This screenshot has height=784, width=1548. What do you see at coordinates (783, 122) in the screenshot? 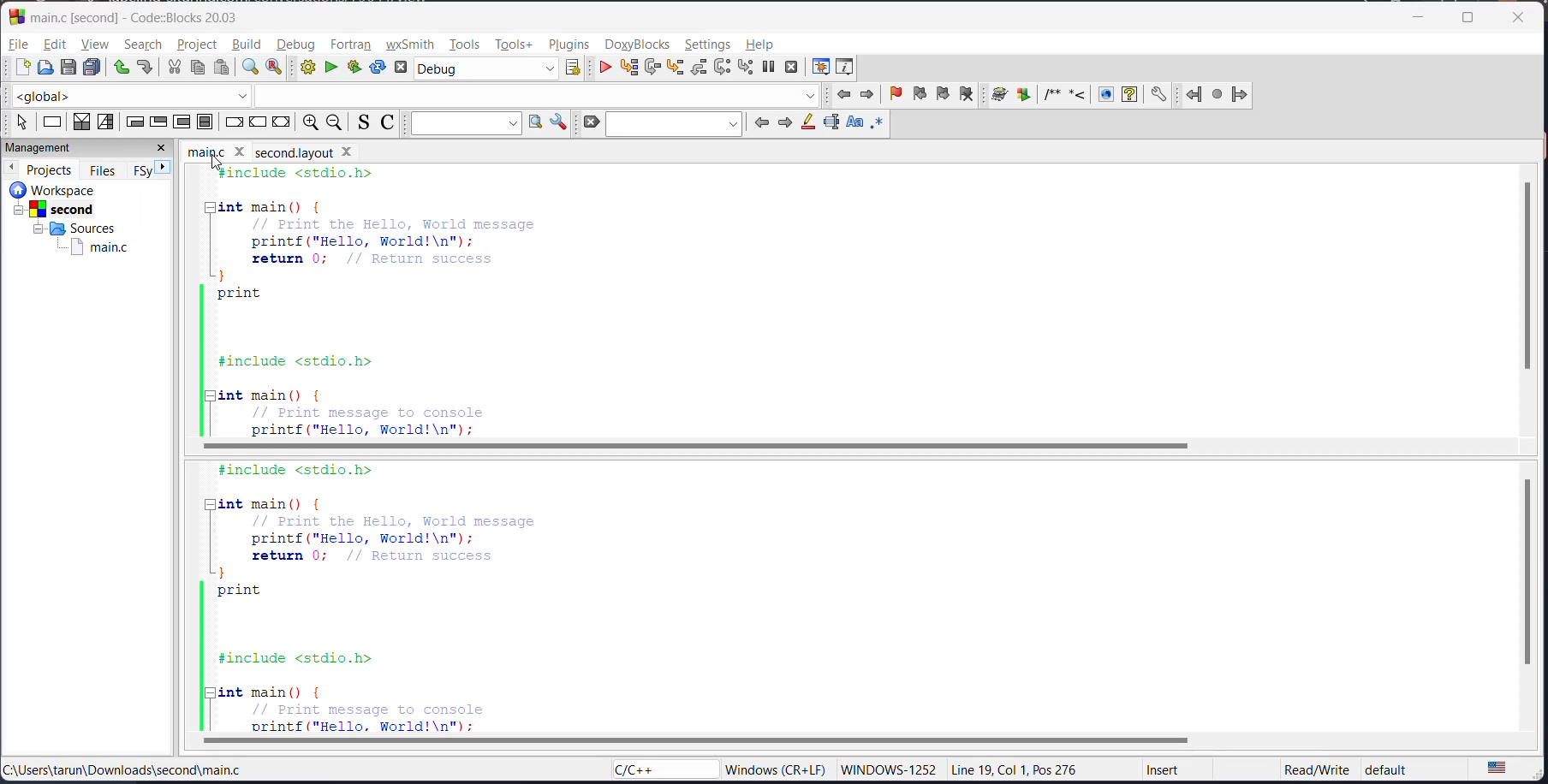
I see `next` at bounding box center [783, 122].